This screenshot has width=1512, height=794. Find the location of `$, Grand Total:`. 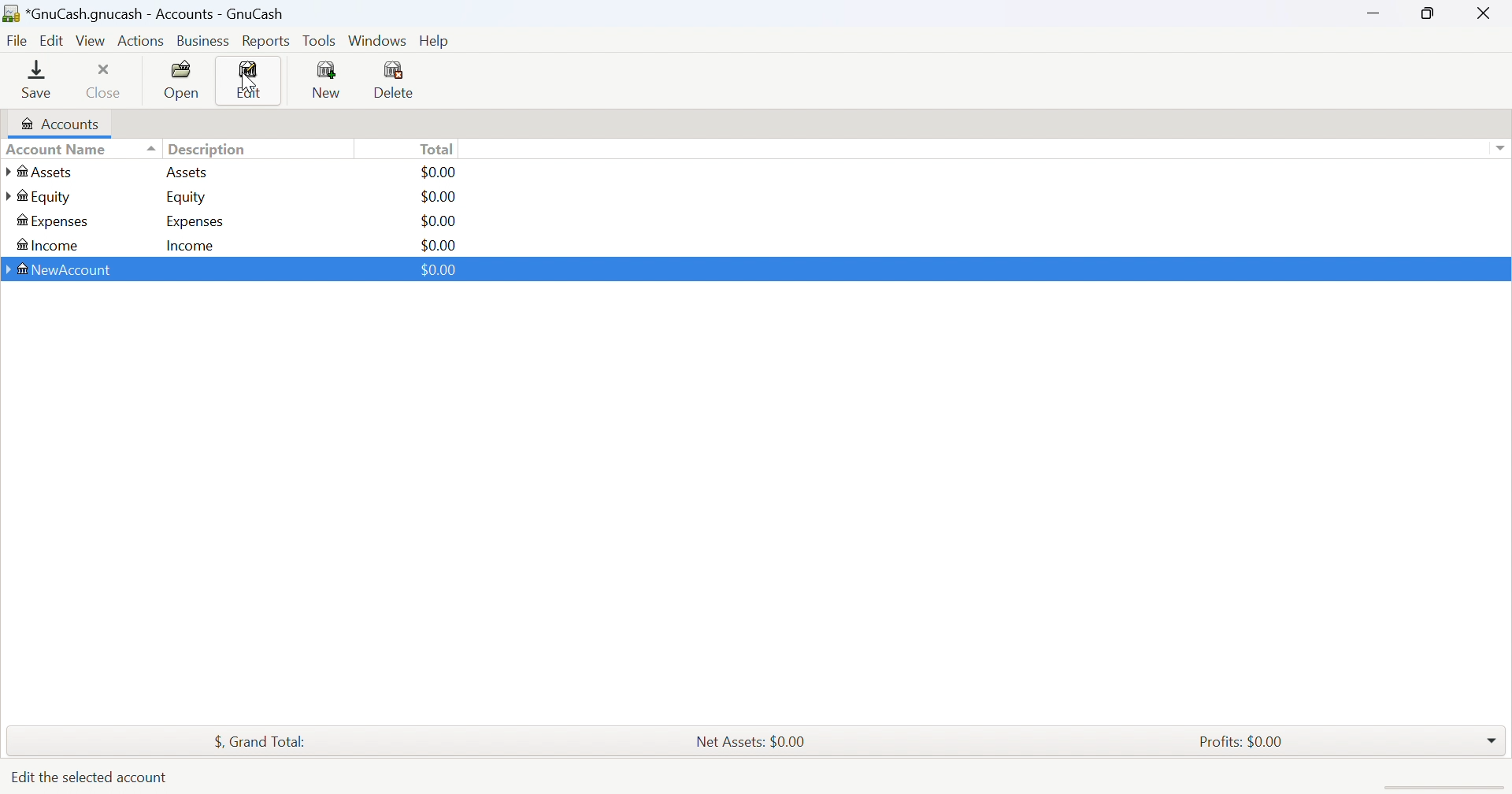

$, Grand Total: is located at coordinates (269, 743).